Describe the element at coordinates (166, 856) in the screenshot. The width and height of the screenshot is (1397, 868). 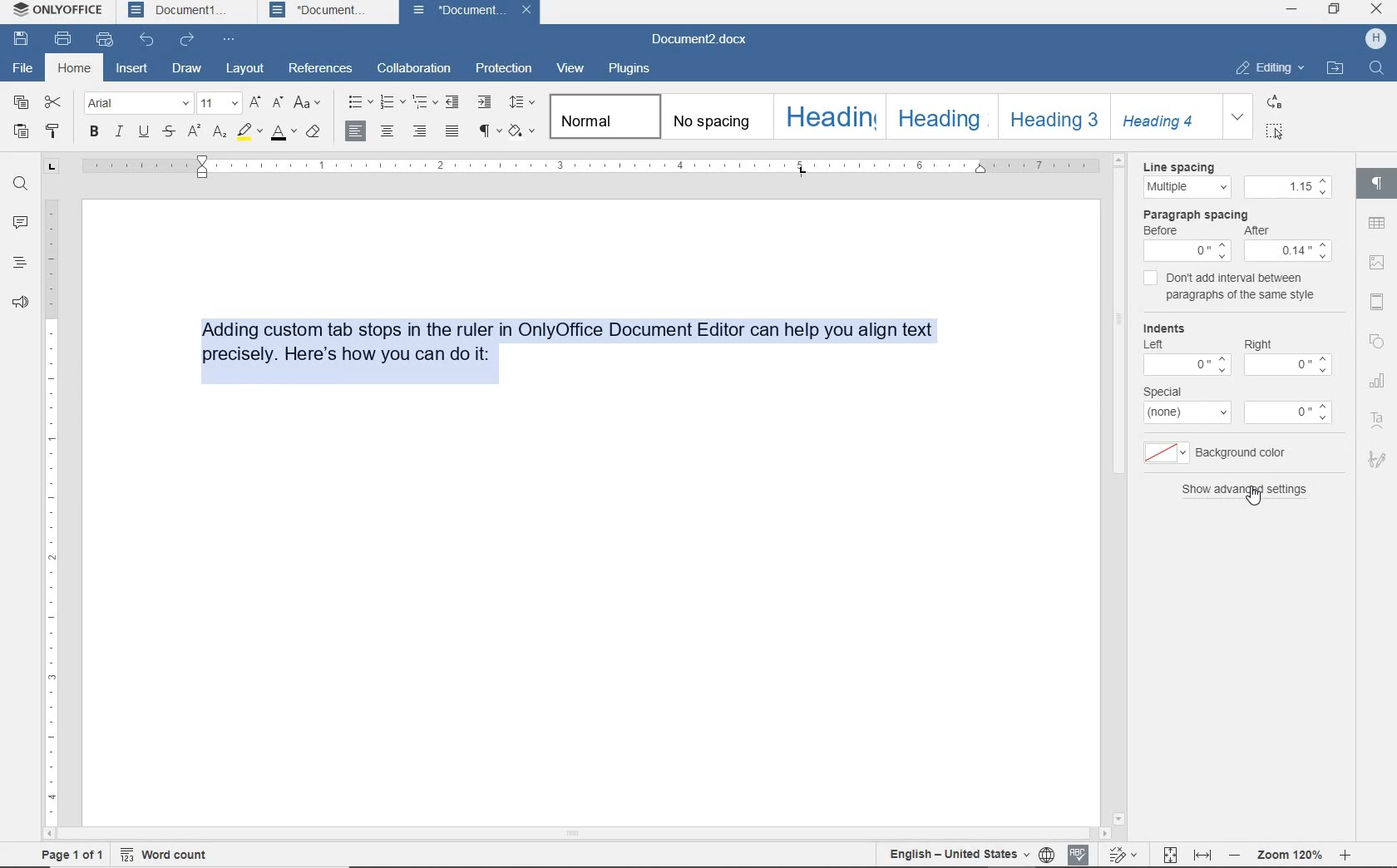
I see `word count` at that location.